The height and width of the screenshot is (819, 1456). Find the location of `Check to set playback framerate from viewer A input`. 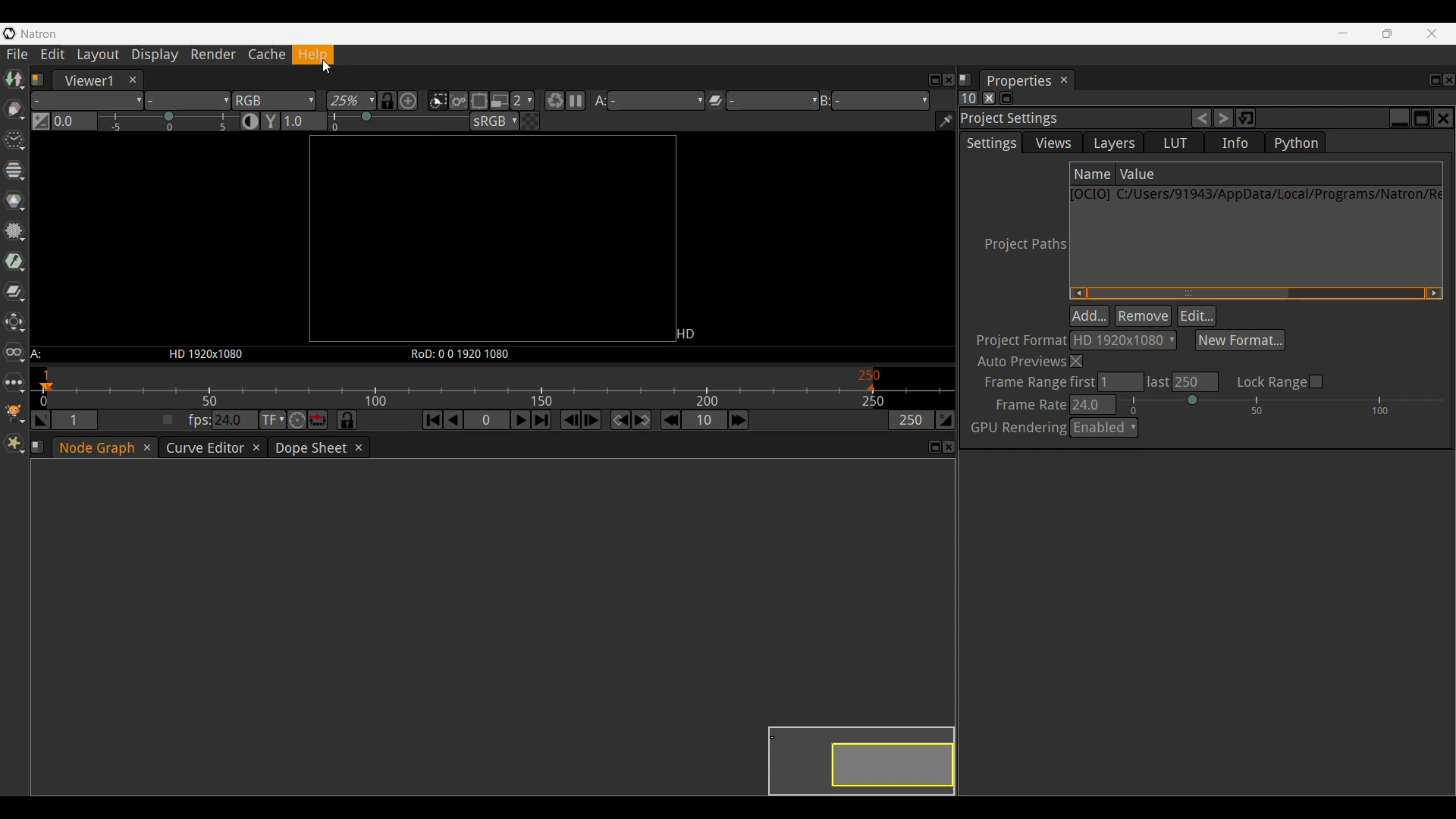

Check to set playback framerate from viewer A input is located at coordinates (168, 419).